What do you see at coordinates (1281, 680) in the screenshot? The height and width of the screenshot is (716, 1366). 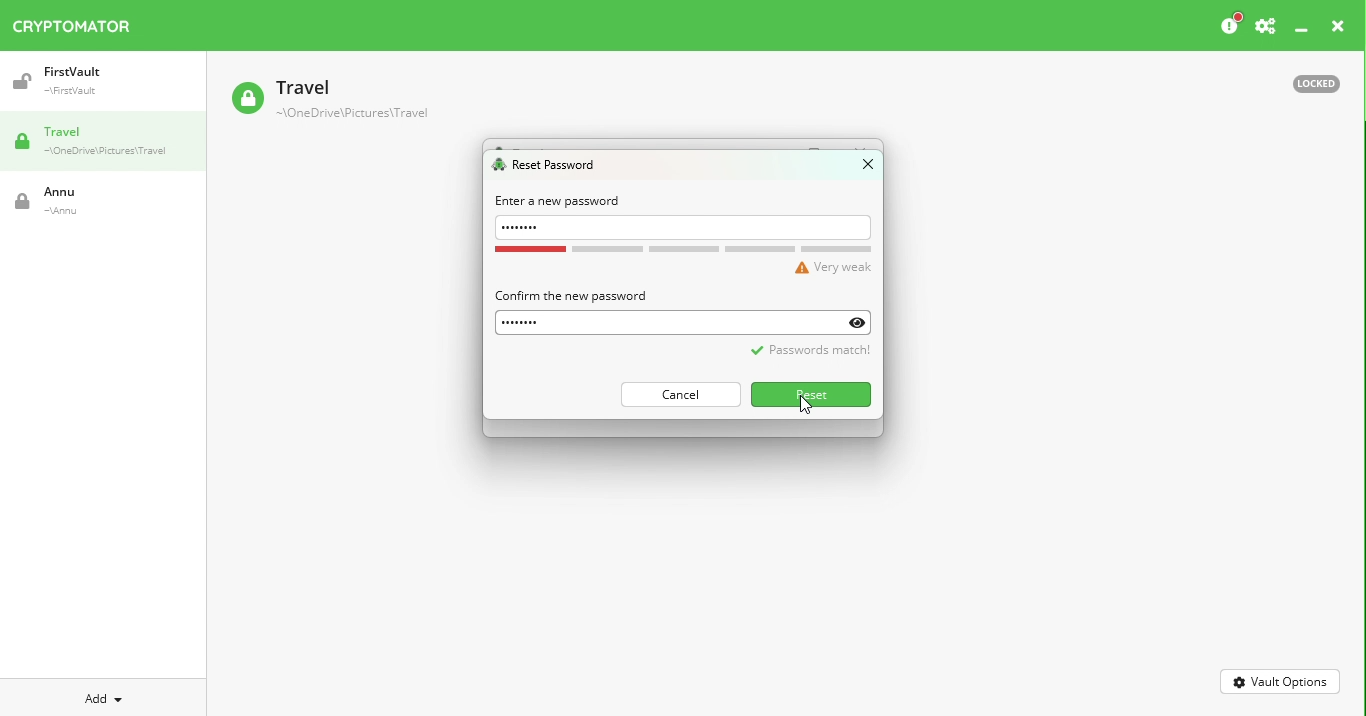 I see `Vault options` at bounding box center [1281, 680].